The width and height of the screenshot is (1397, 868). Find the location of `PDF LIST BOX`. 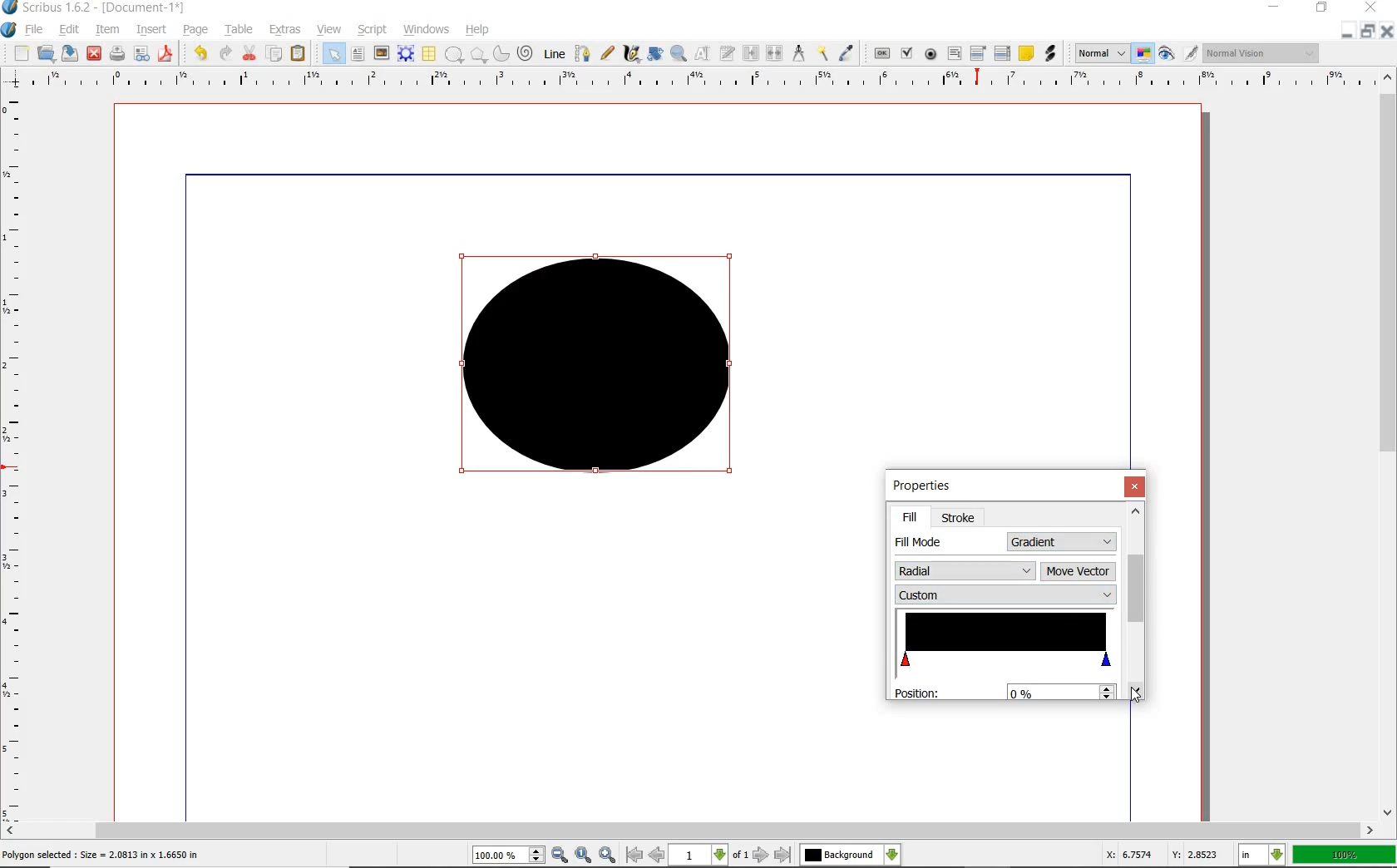

PDF LIST BOX is located at coordinates (1004, 53).